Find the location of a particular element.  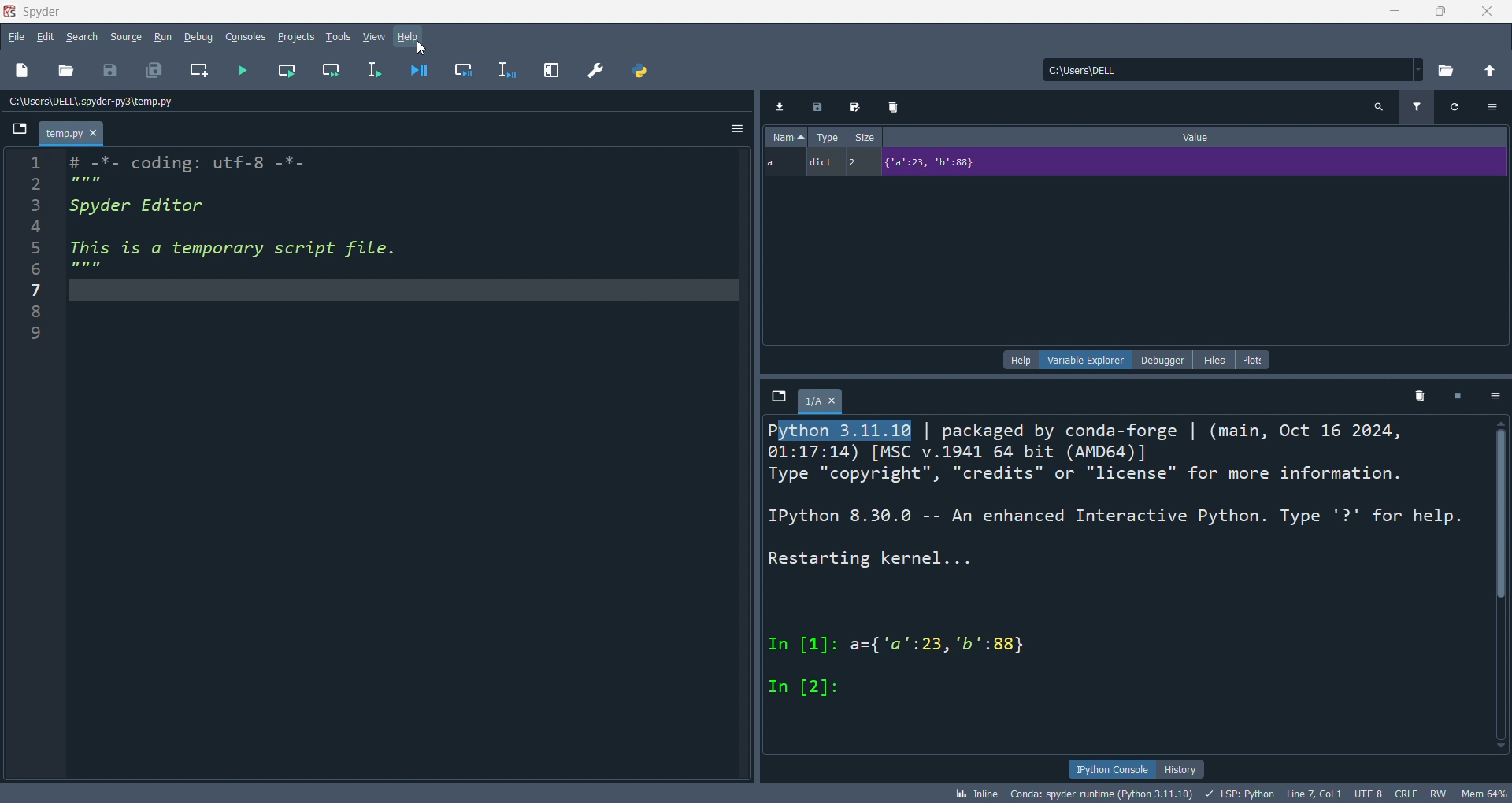

minimize is located at coordinates (1392, 12).